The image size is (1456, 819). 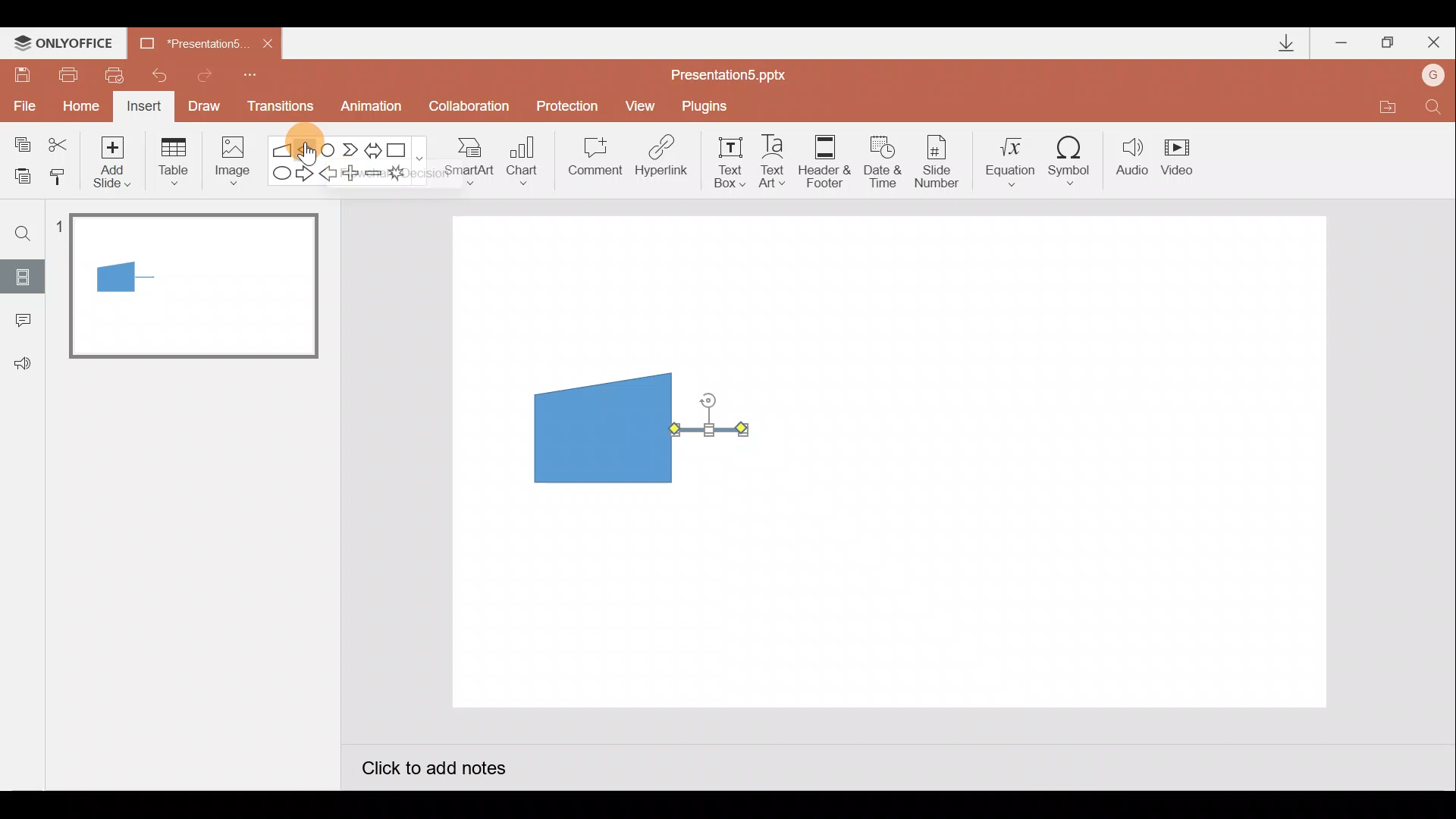 What do you see at coordinates (1183, 158) in the screenshot?
I see `Video` at bounding box center [1183, 158].